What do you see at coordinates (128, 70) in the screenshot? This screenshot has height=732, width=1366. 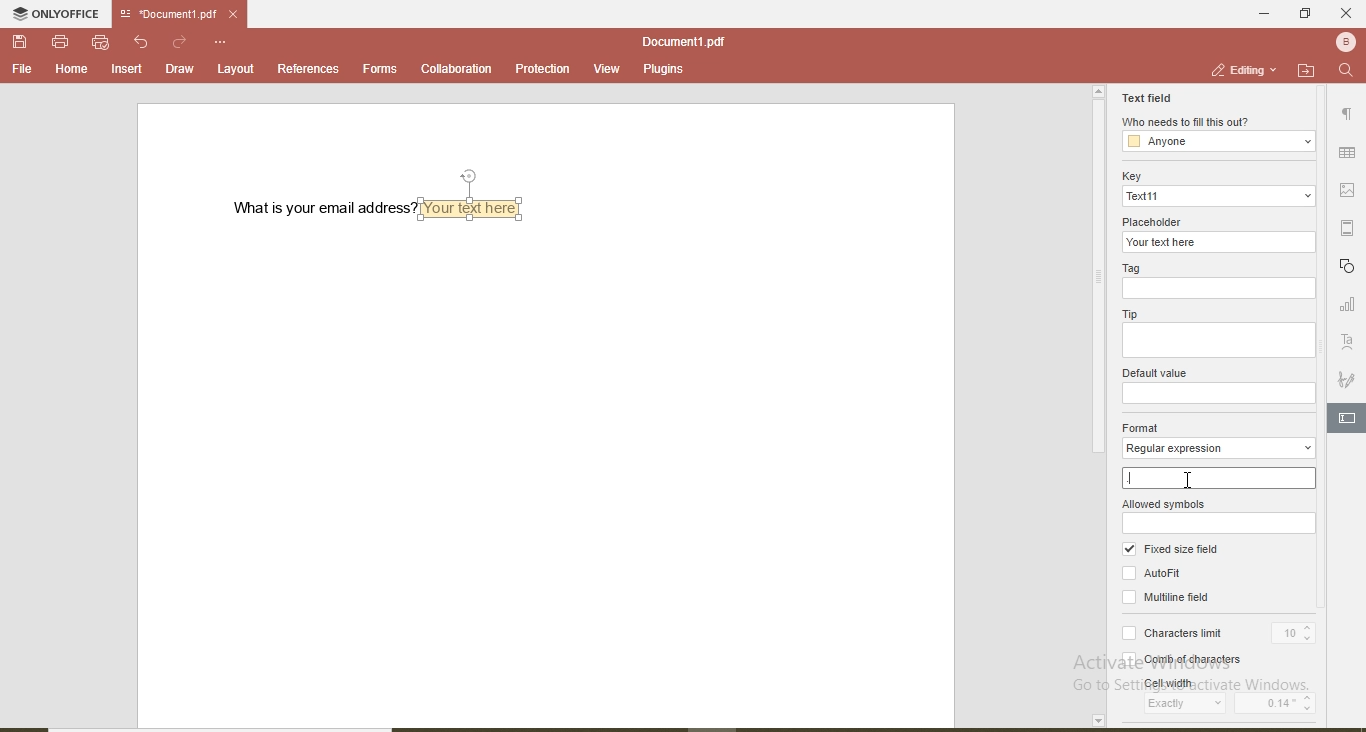 I see `insert` at bounding box center [128, 70].